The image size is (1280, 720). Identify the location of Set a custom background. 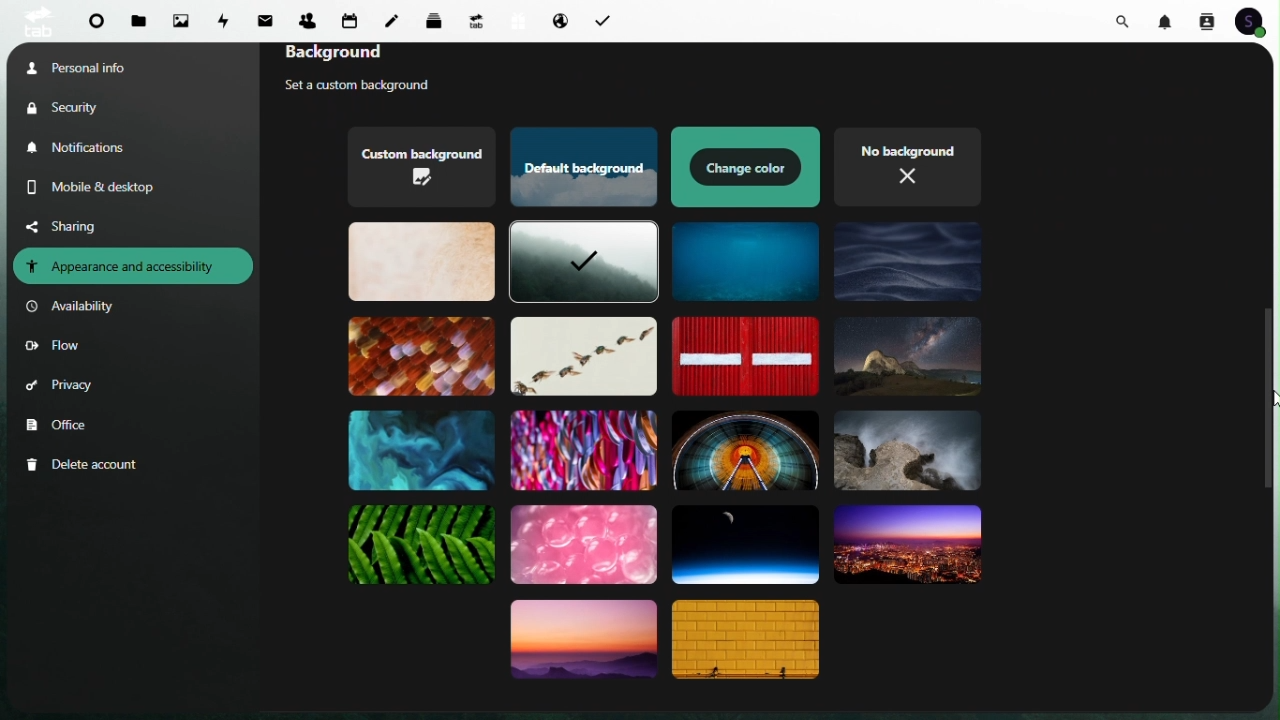
(375, 87).